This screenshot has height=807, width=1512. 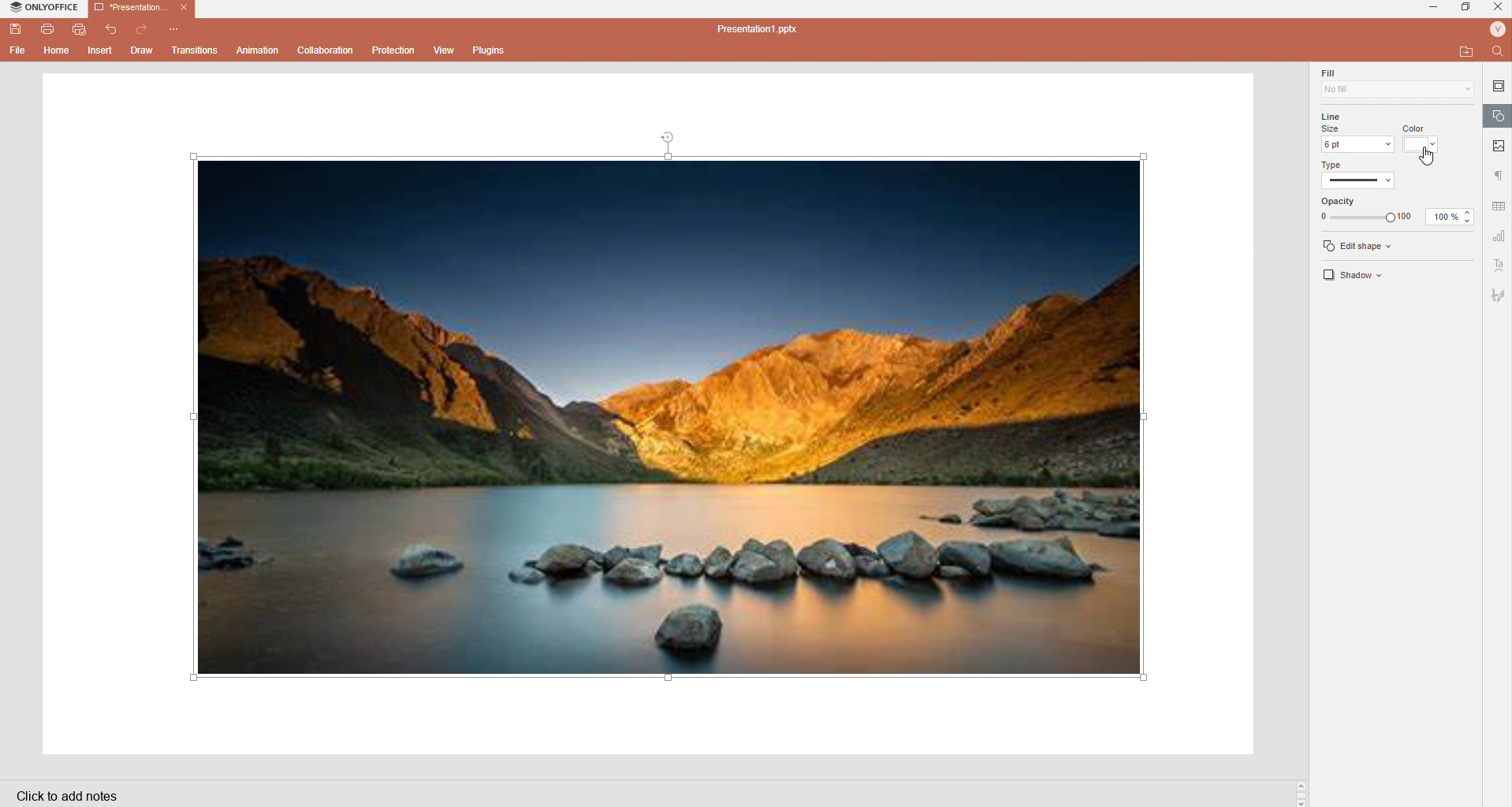 What do you see at coordinates (678, 418) in the screenshot?
I see `Image` at bounding box center [678, 418].